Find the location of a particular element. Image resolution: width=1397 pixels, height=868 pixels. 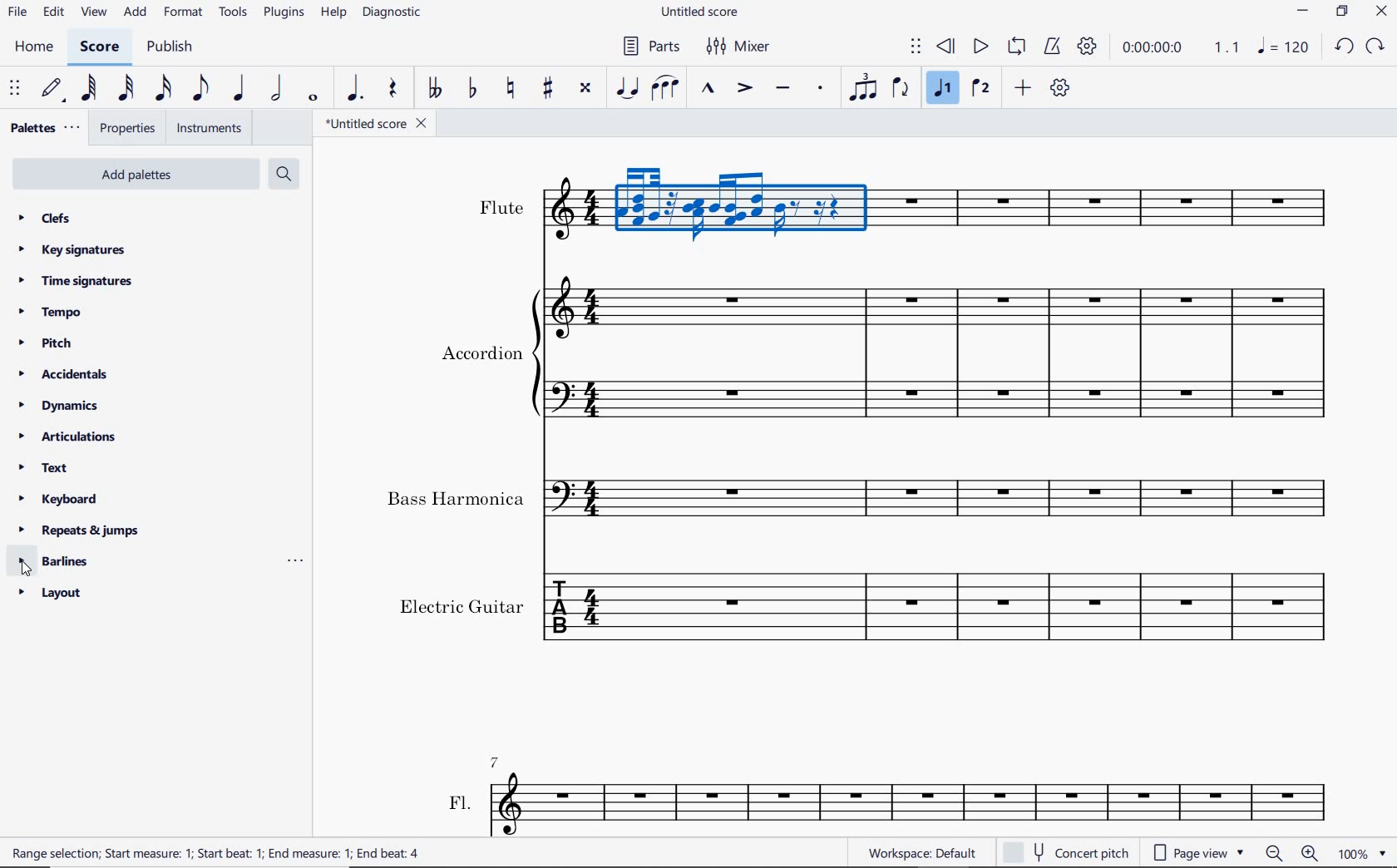

format is located at coordinates (183, 15).